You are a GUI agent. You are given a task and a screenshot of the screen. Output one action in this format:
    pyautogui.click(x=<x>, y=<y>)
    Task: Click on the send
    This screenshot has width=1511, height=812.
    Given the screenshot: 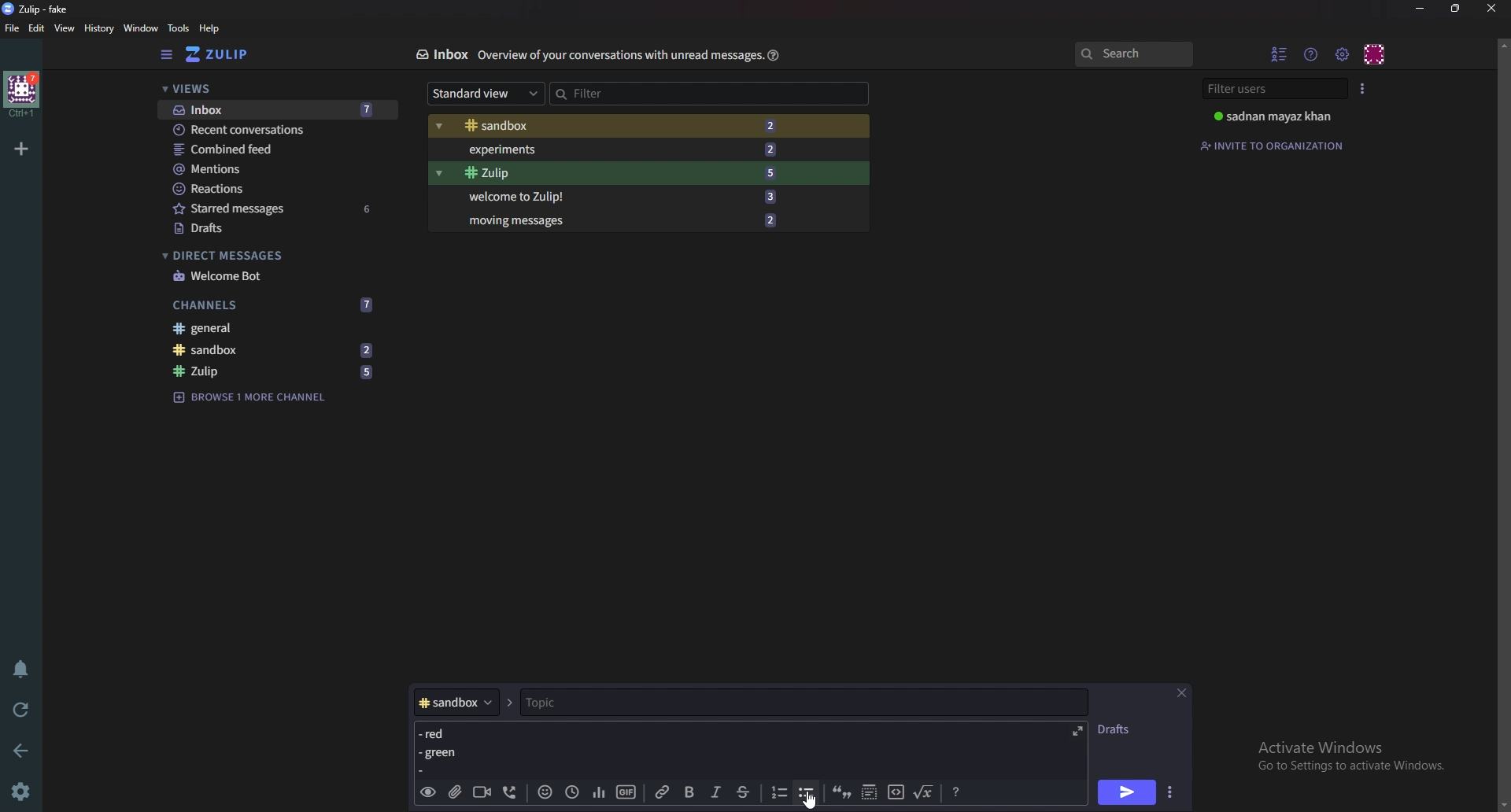 What is the action you would take?
    pyautogui.click(x=1125, y=794)
    